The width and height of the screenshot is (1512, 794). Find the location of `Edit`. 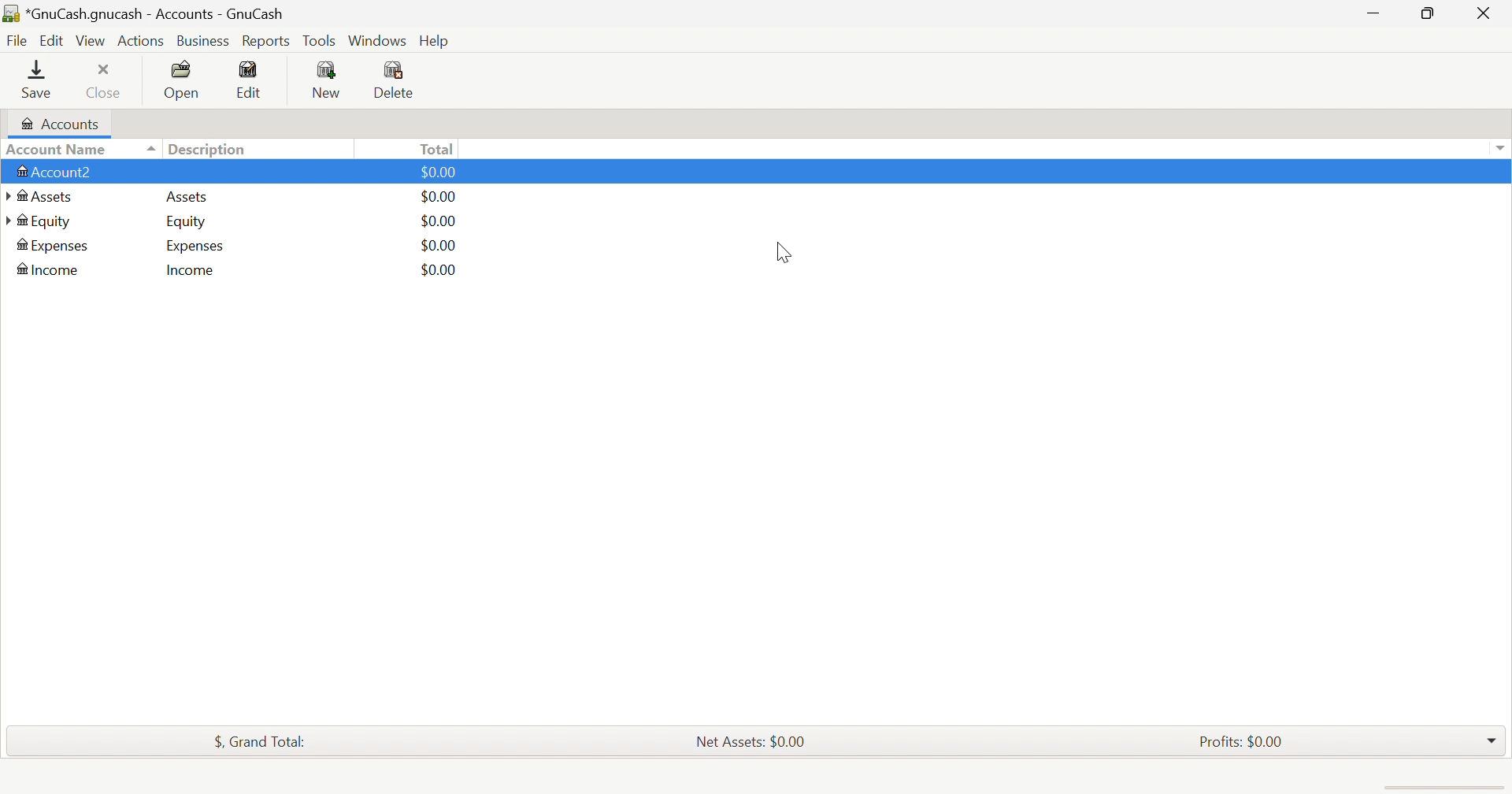

Edit is located at coordinates (50, 40).